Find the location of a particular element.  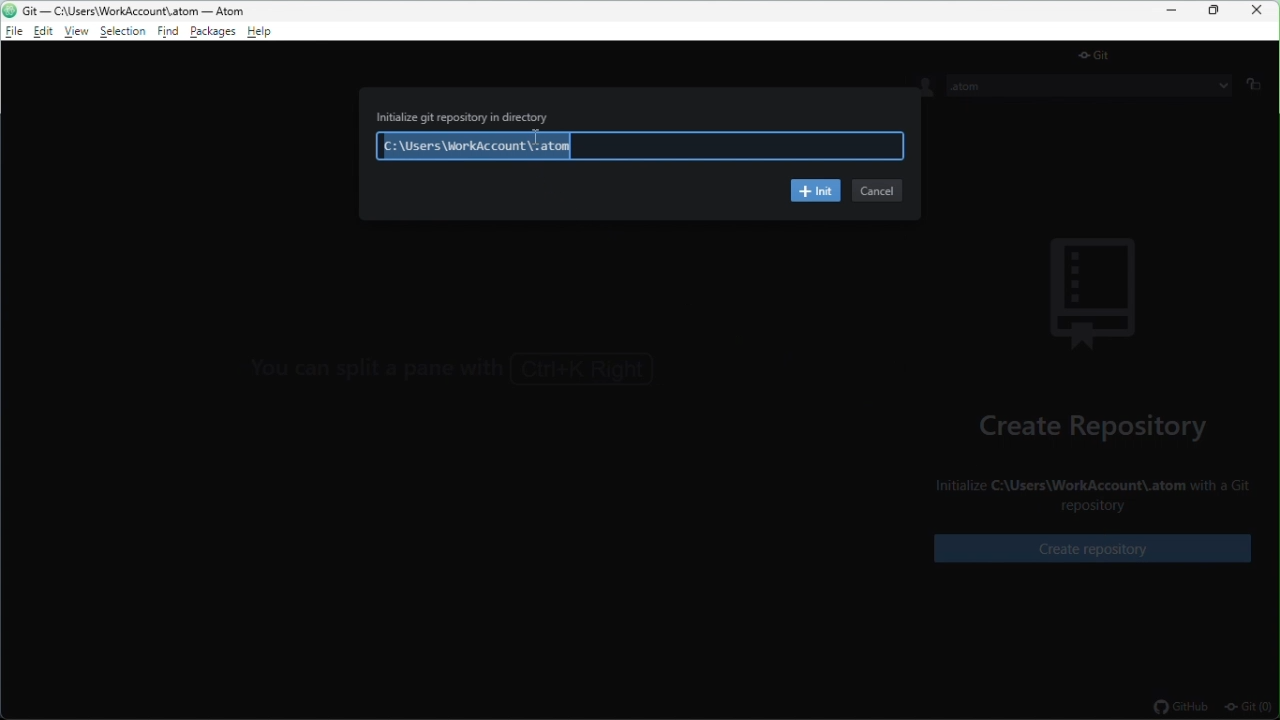

minimize is located at coordinates (1177, 11).